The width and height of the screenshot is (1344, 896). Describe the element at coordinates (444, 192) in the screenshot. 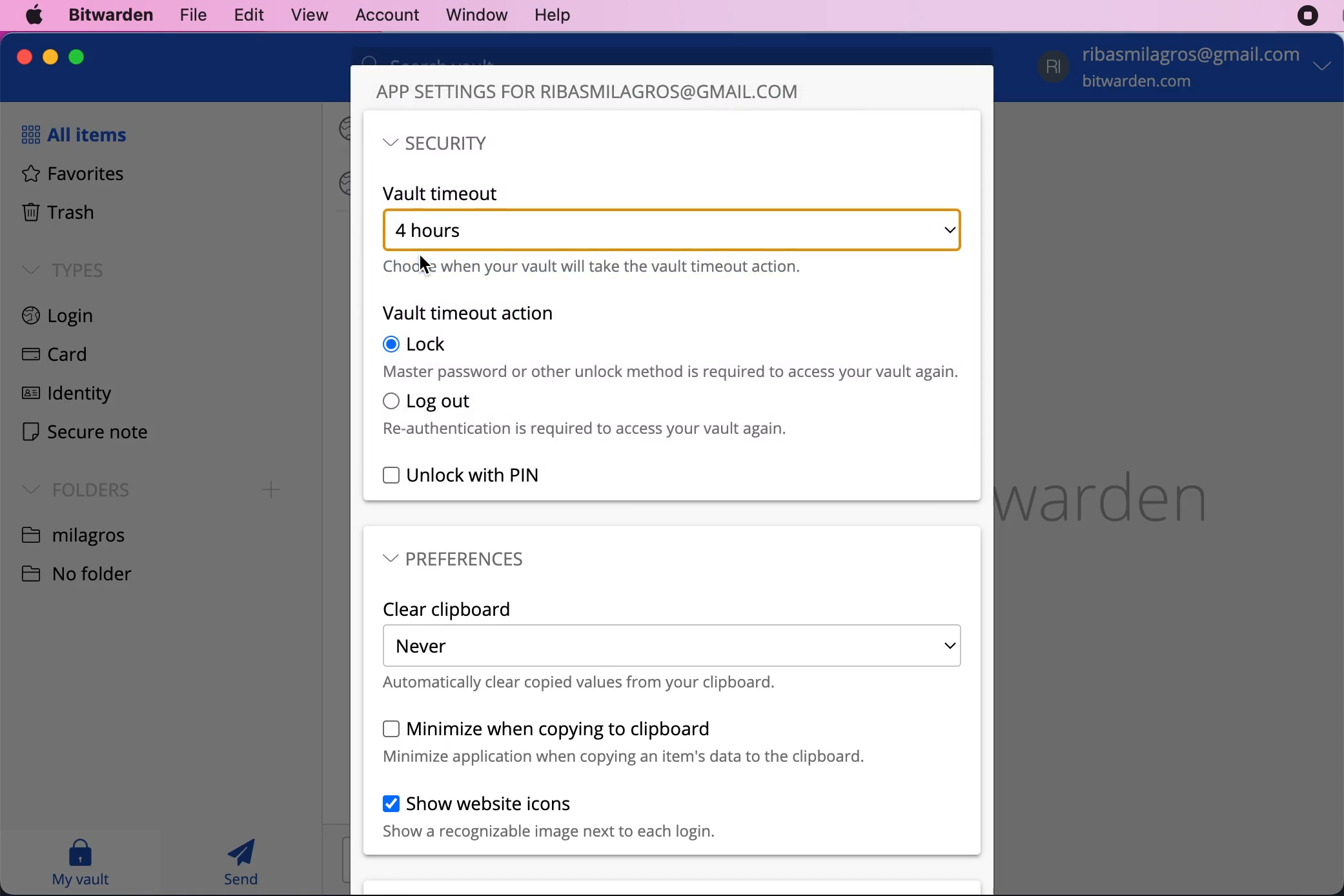

I see `vault timeout` at that location.